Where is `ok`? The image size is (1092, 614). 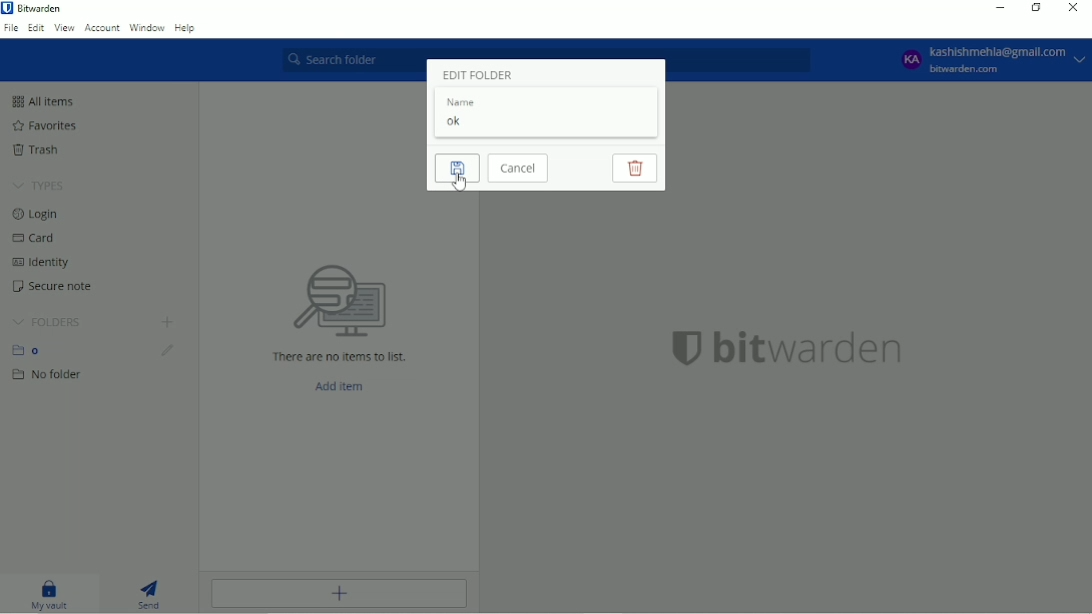 ok is located at coordinates (455, 122).